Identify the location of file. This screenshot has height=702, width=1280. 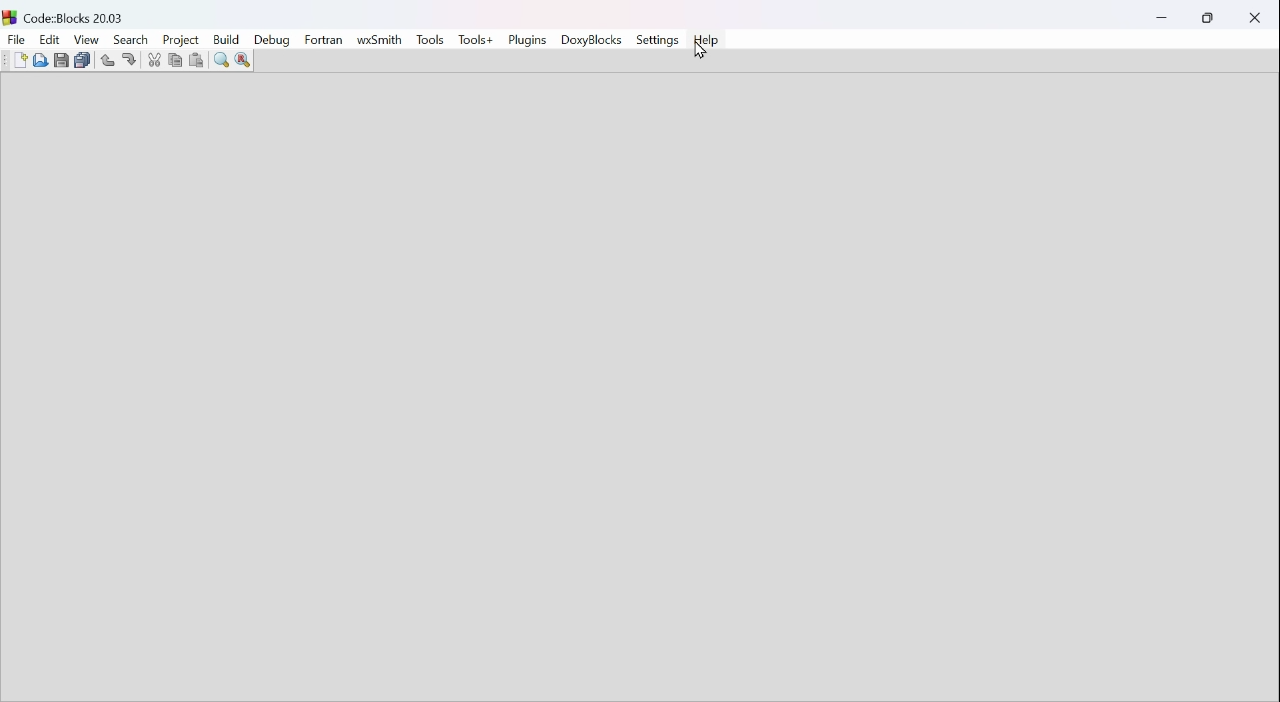
(16, 40).